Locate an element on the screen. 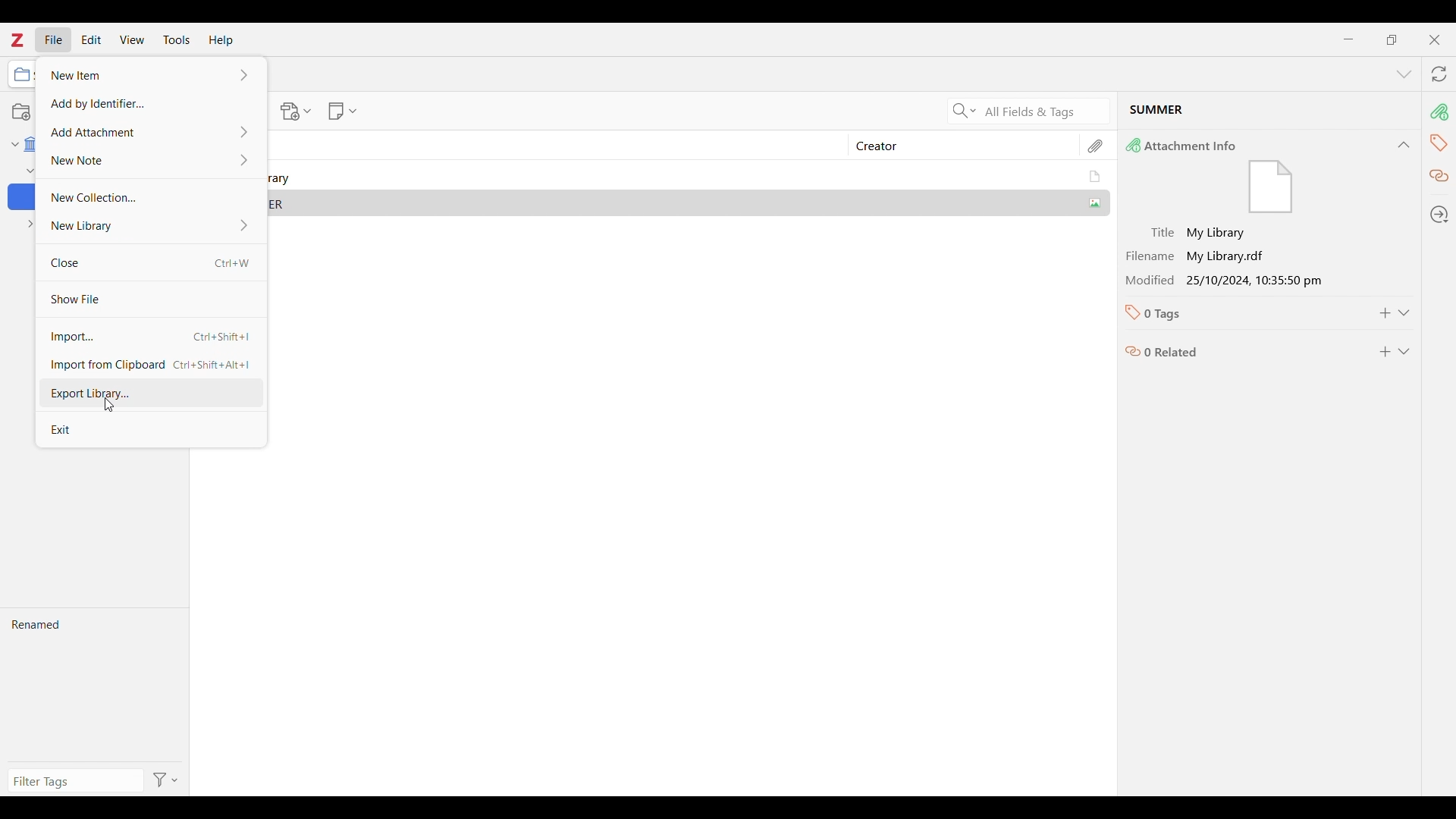  Current selected file is located at coordinates (1269, 112).